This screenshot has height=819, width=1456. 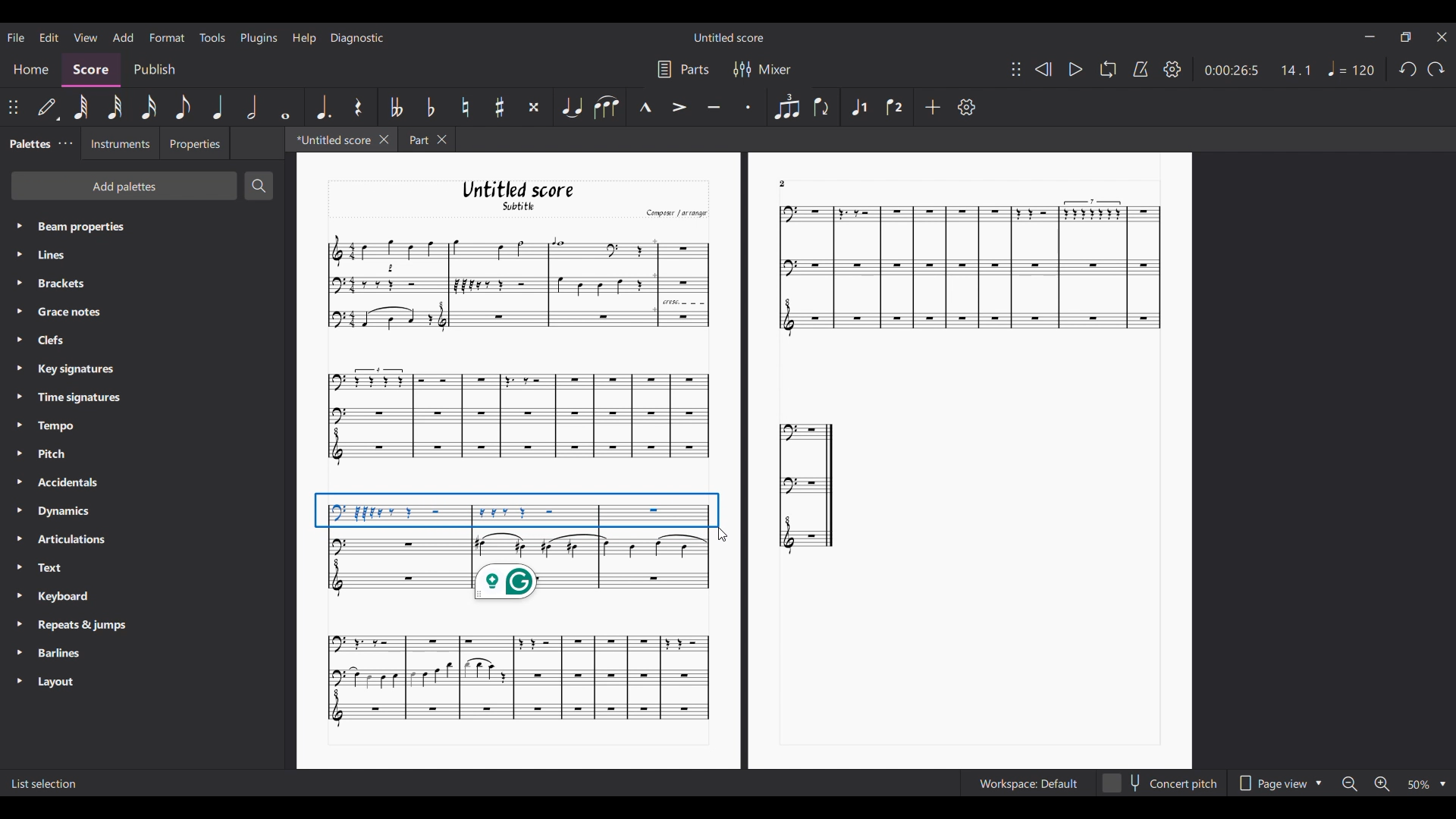 What do you see at coordinates (426, 140) in the screenshot?
I see `Part X` at bounding box center [426, 140].